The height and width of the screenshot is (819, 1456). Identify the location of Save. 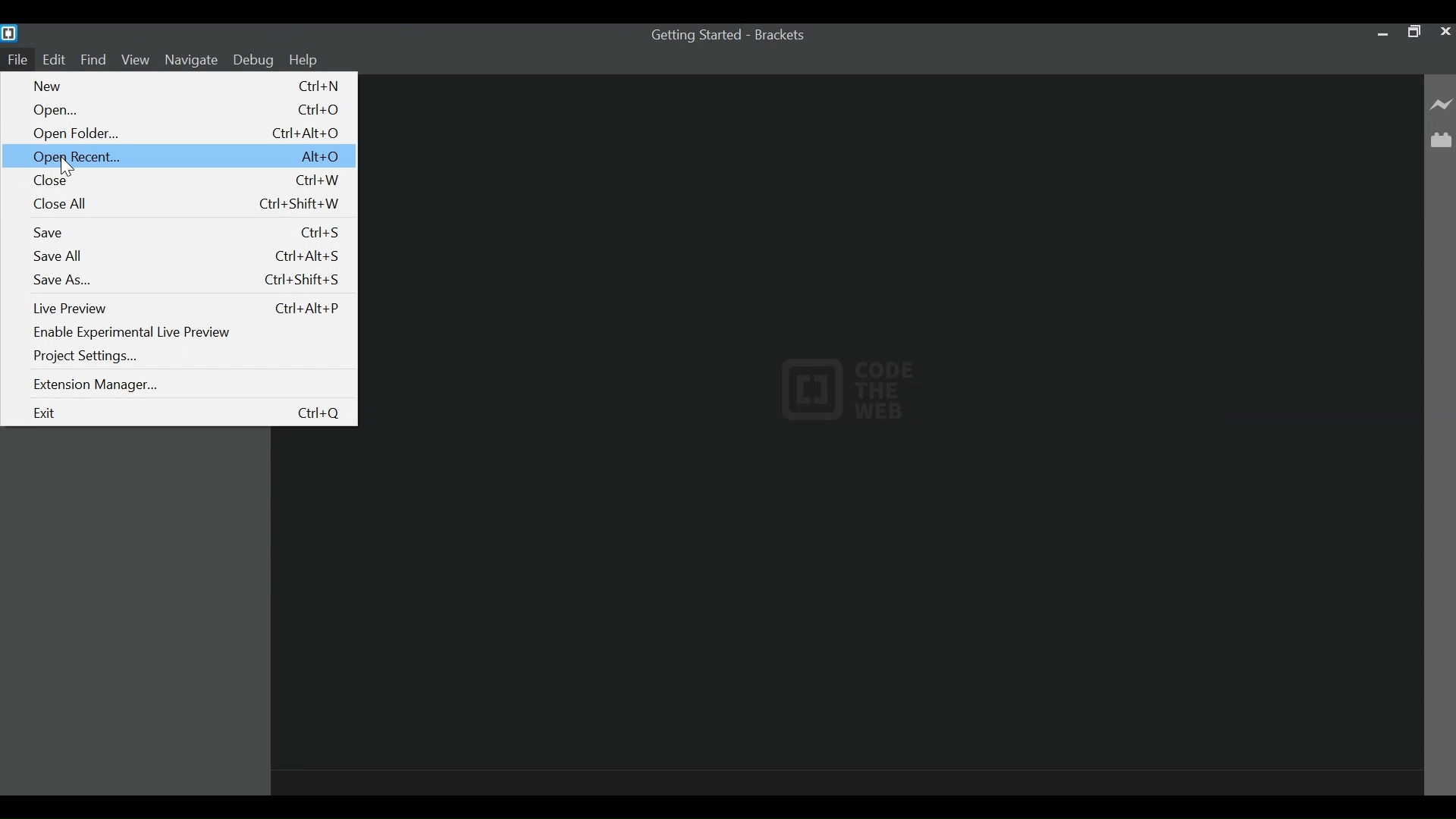
(187, 232).